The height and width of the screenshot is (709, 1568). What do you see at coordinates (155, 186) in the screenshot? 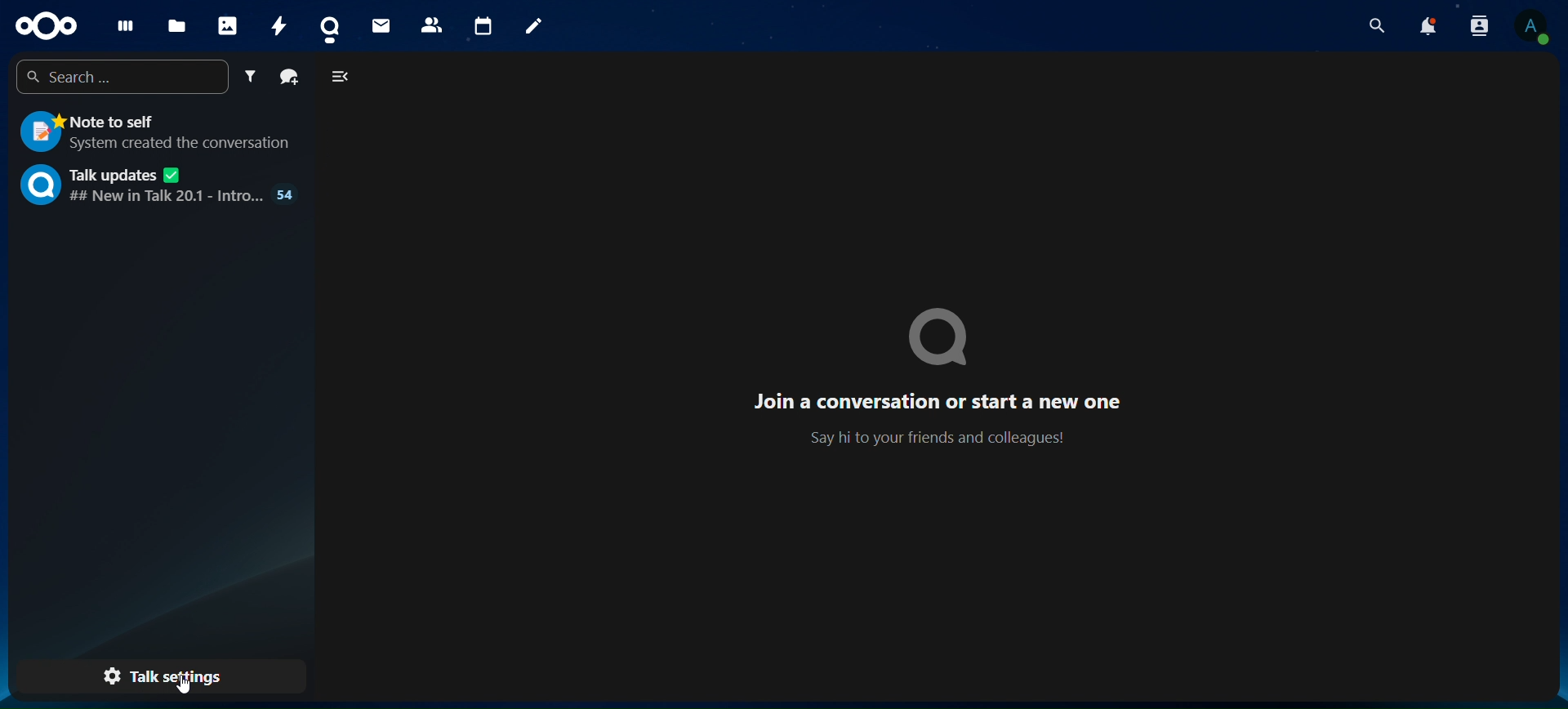
I see `talk updates` at bounding box center [155, 186].